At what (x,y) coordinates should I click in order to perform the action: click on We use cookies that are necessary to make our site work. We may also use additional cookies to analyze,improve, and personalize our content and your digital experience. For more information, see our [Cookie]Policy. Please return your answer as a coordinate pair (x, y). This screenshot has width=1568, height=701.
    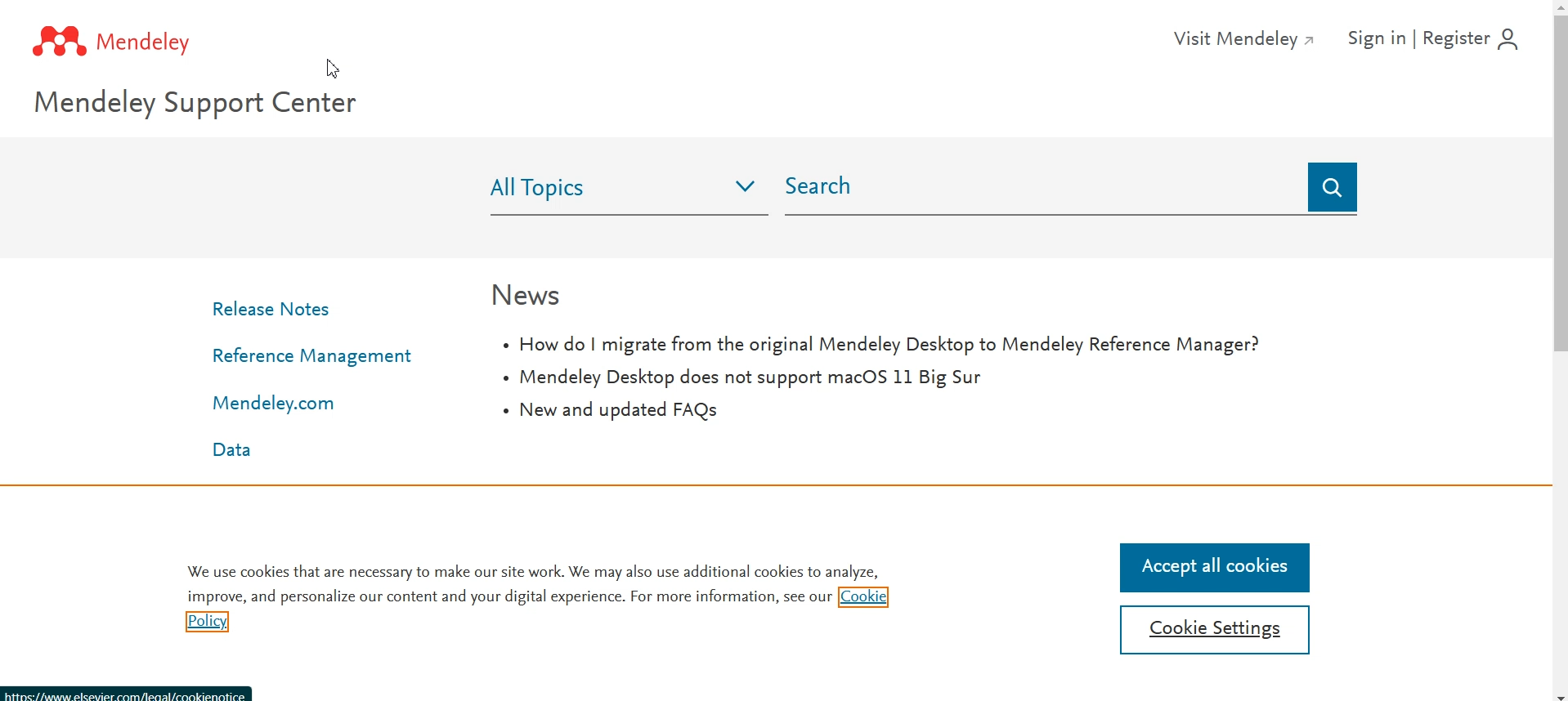
    Looking at the image, I should click on (535, 598).